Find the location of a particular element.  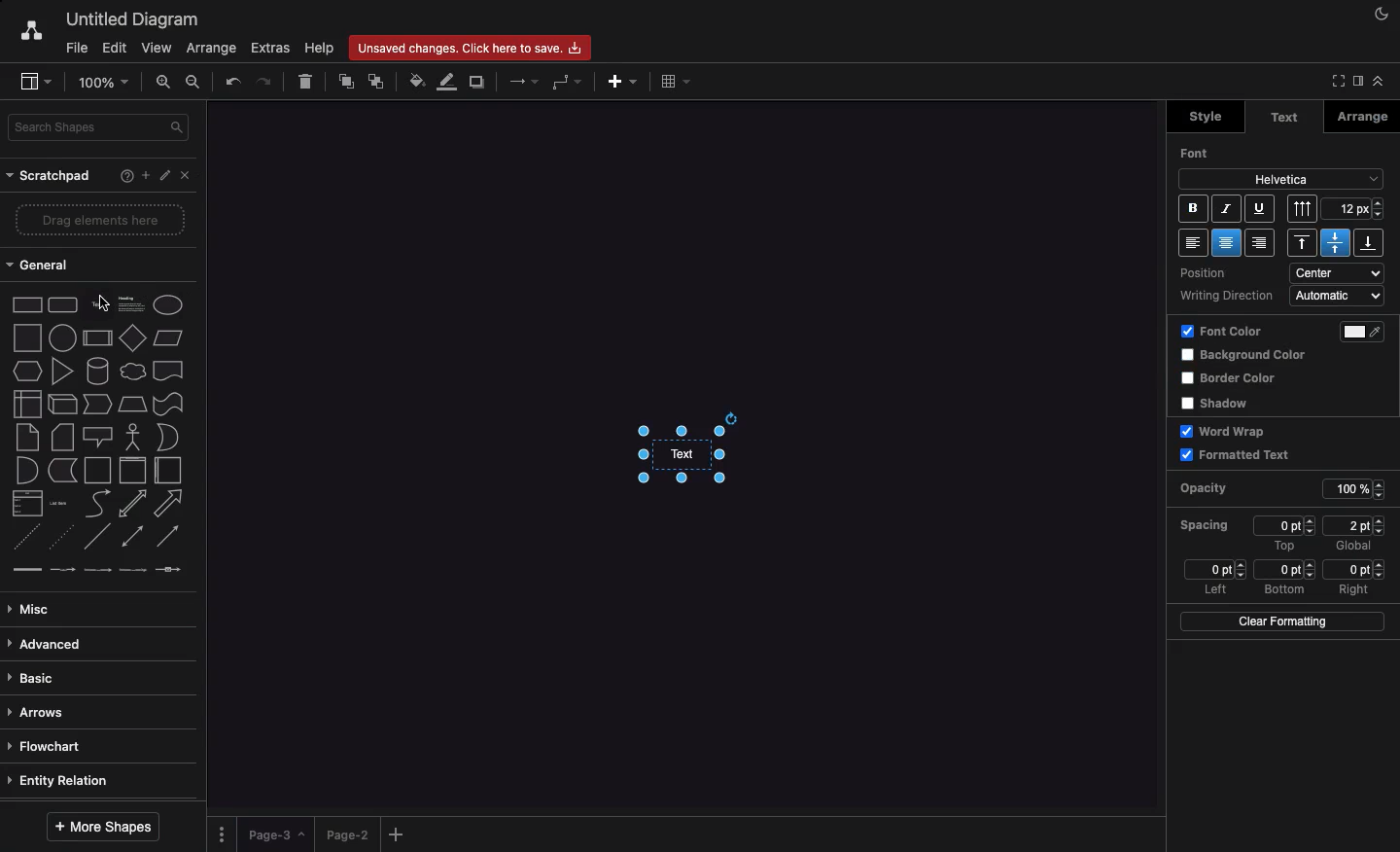

Sidebar is located at coordinates (1356, 82).